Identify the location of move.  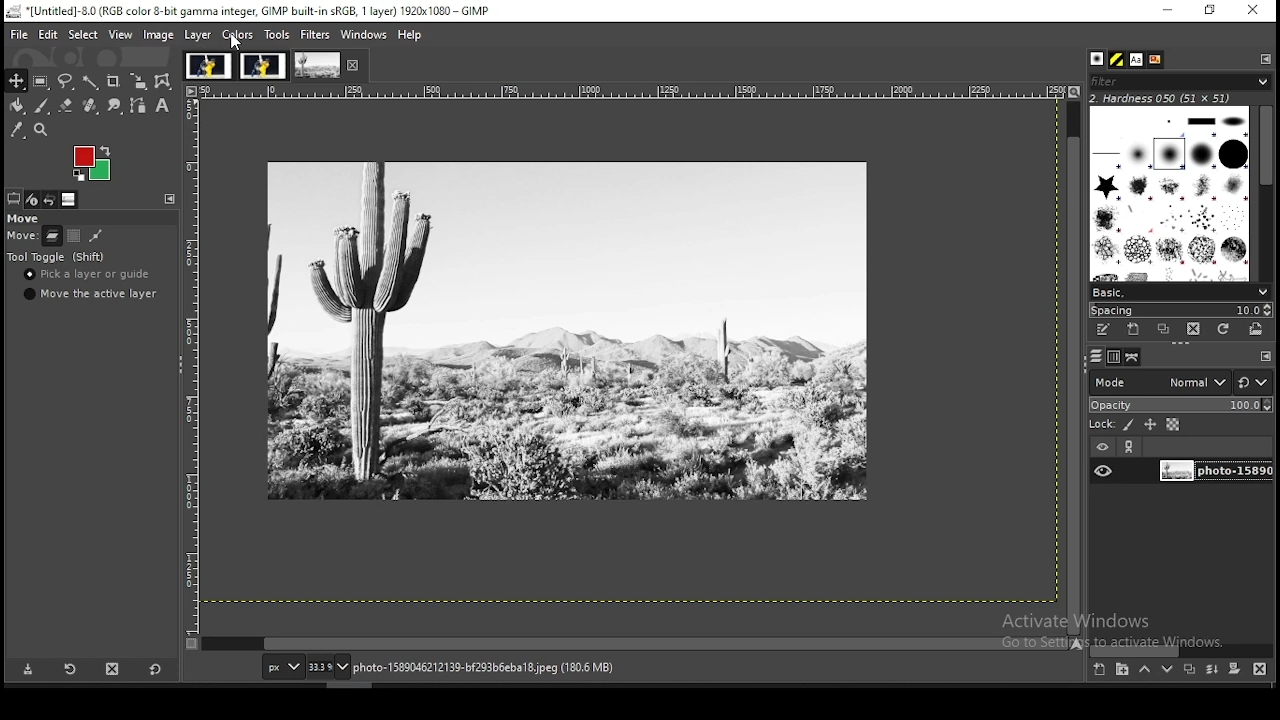
(22, 218).